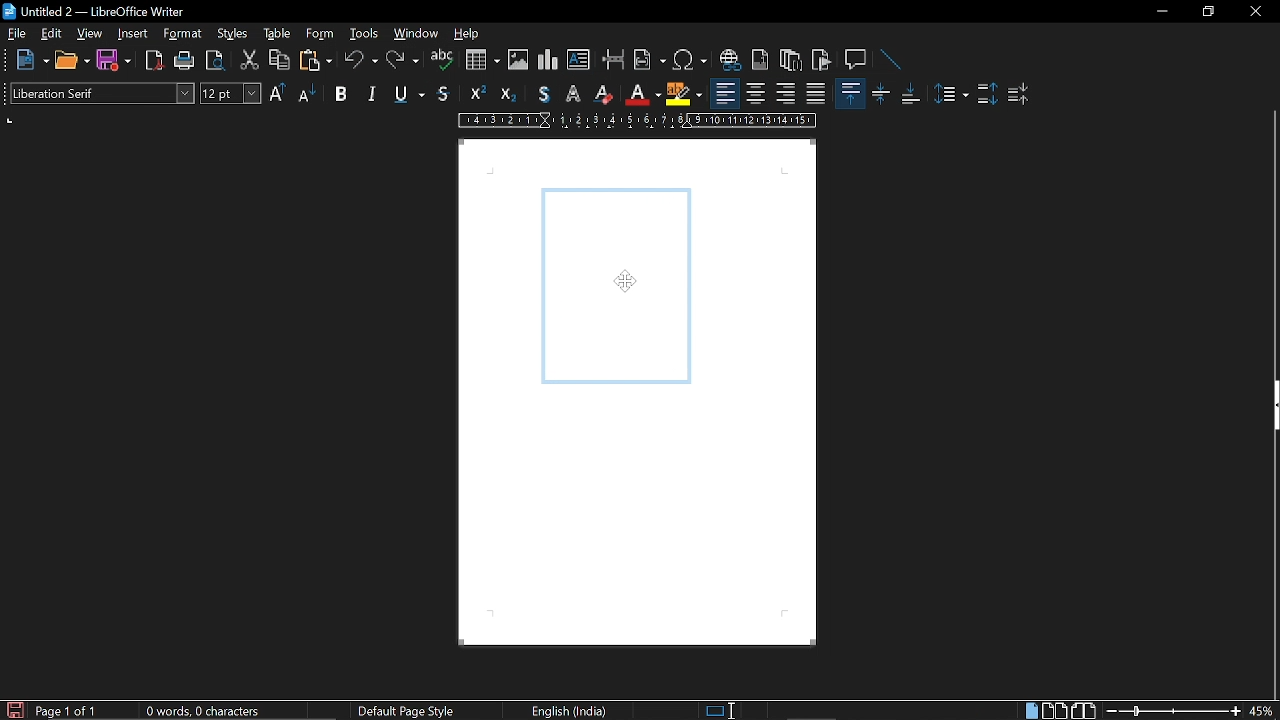 The height and width of the screenshot is (720, 1280). I want to click on spell check, so click(441, 62).